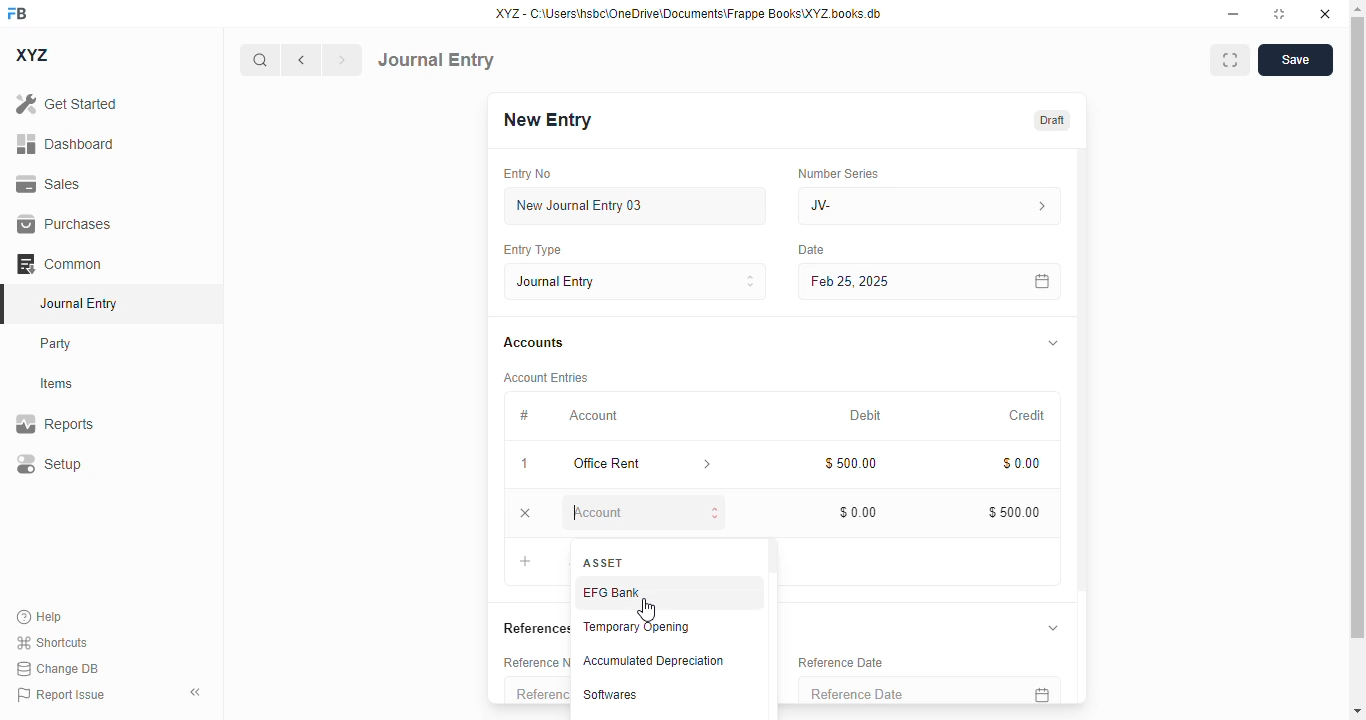 The height and width of the screenshot is (720, 1366). What do you see at coordinates (66, 103) in the screenshot?
I see `get started` at bounding box center [66, 103].